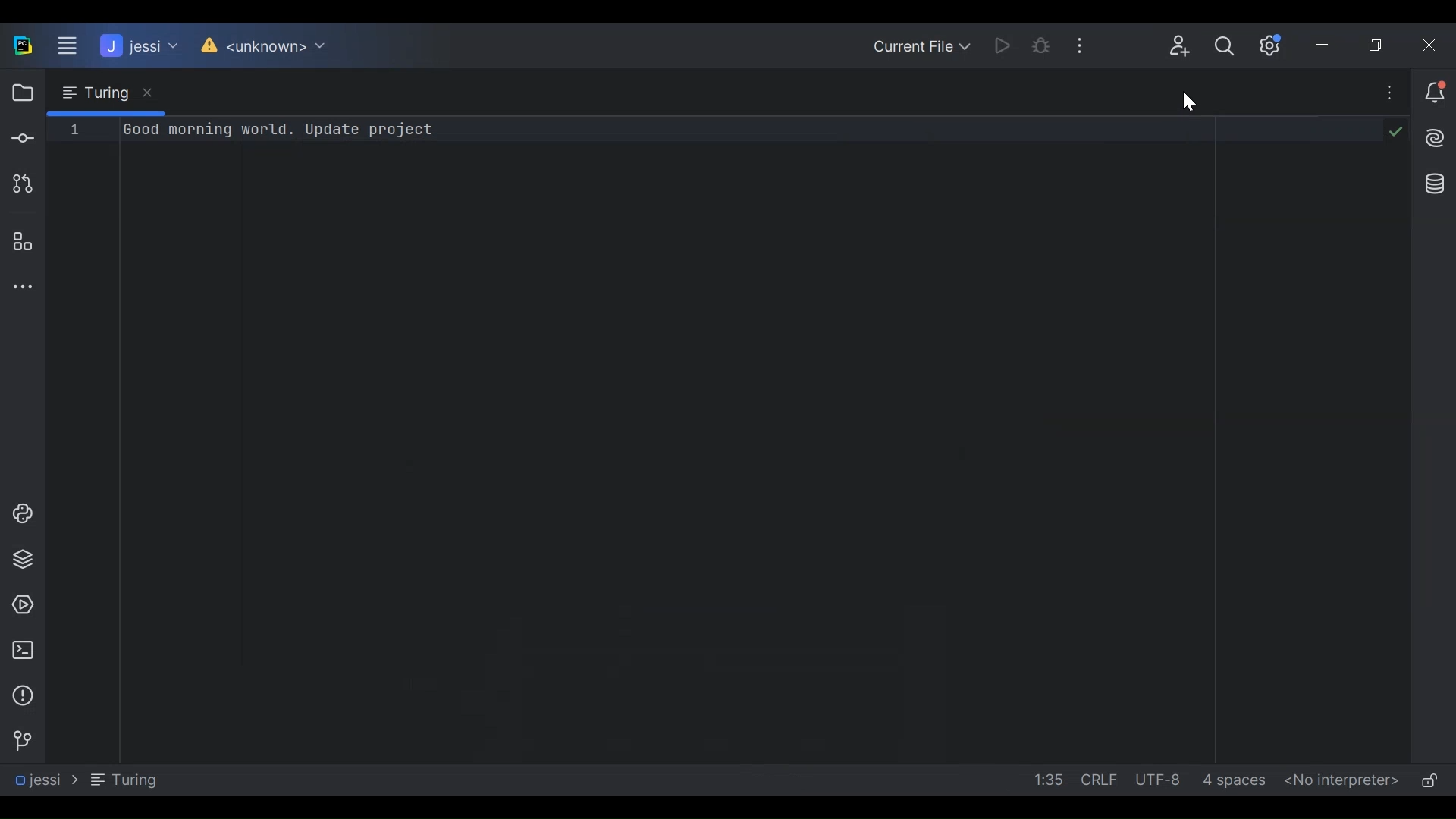 The height and width of the screenshot is (819, 1456). I want to click on Commit, so click(22, 138).